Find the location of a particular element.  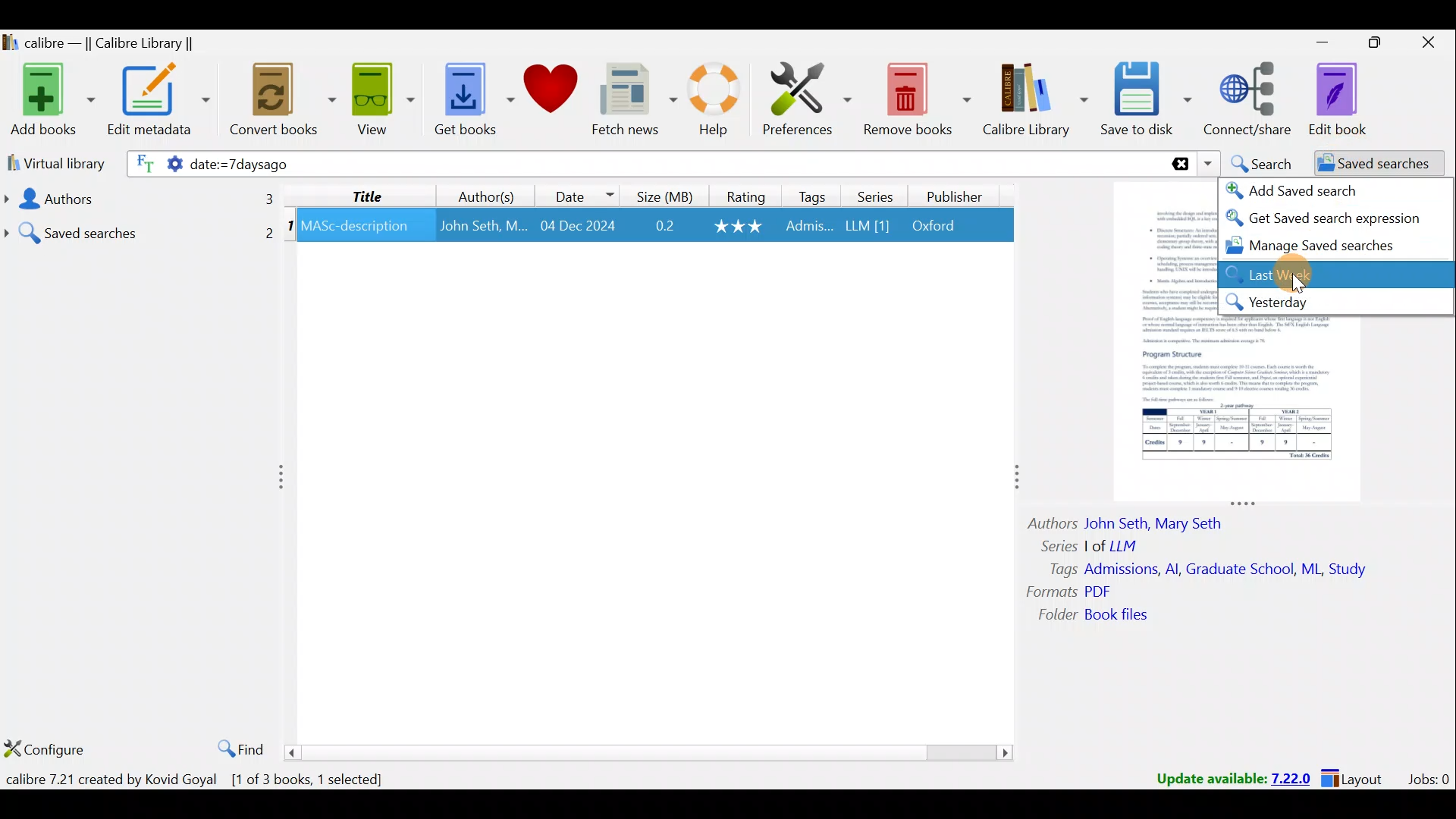

Add books is located at coordinates (49, 97).